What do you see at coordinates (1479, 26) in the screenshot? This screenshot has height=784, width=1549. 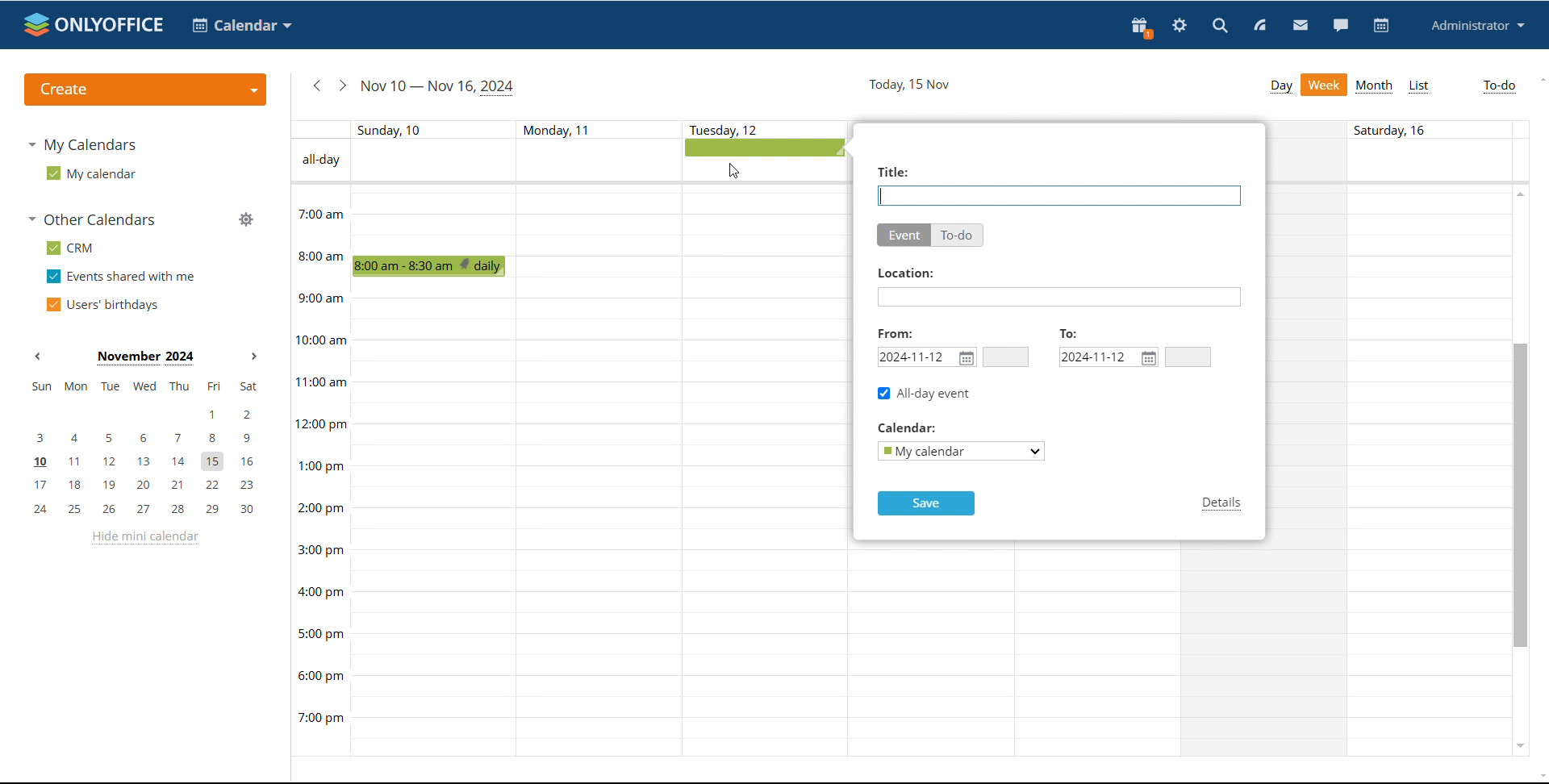 I see `profile` at bounding box center [1479, 26].